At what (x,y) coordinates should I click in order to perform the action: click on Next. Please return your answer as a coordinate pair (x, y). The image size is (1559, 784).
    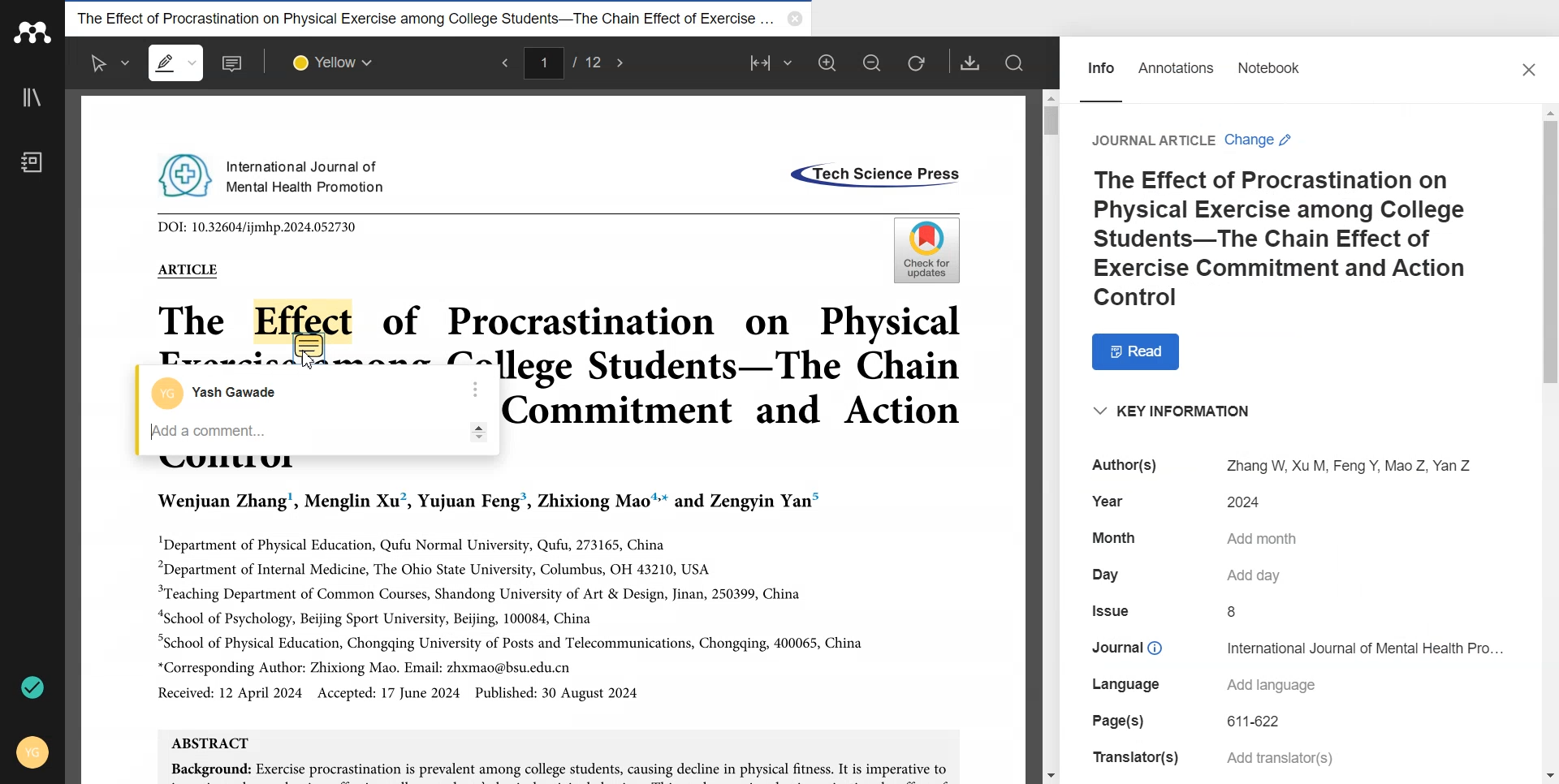
    Looking at the image, I should click on (619, 63).